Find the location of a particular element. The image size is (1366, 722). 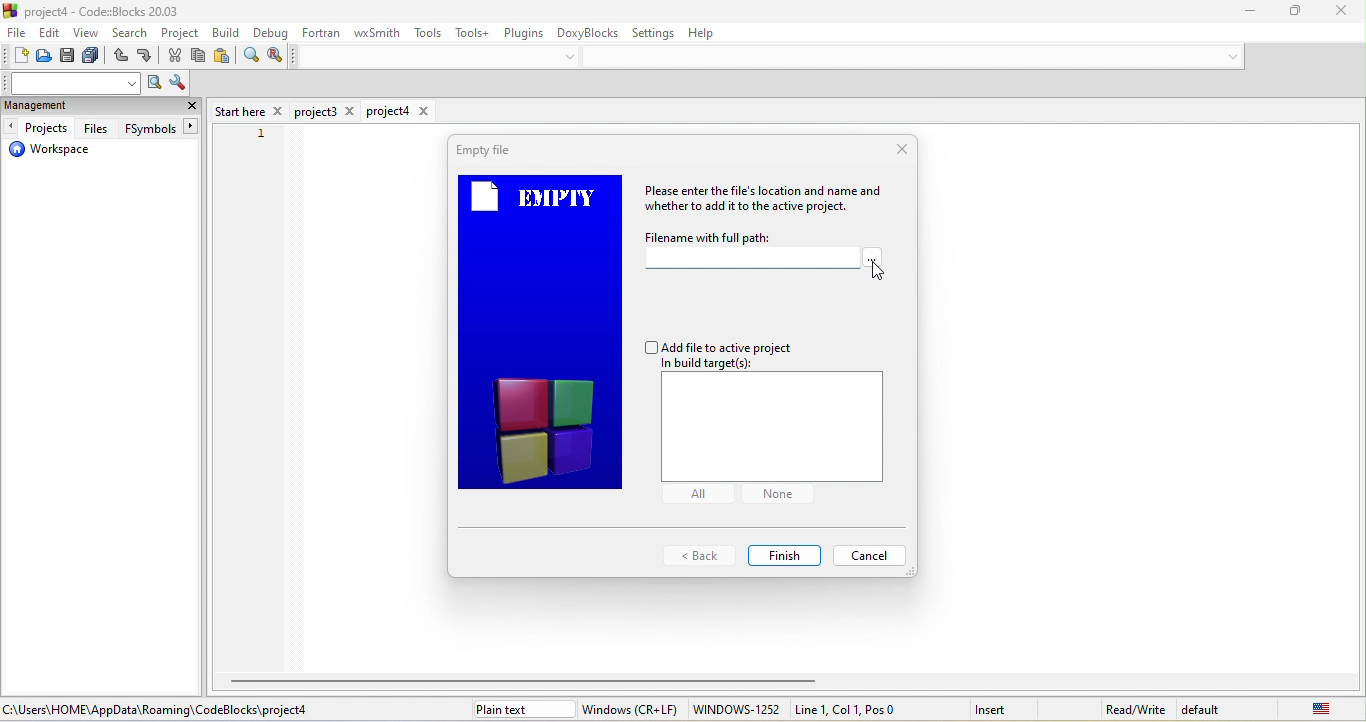

line 1, col 1 , pos 0 is located at coordinates (869, 709).